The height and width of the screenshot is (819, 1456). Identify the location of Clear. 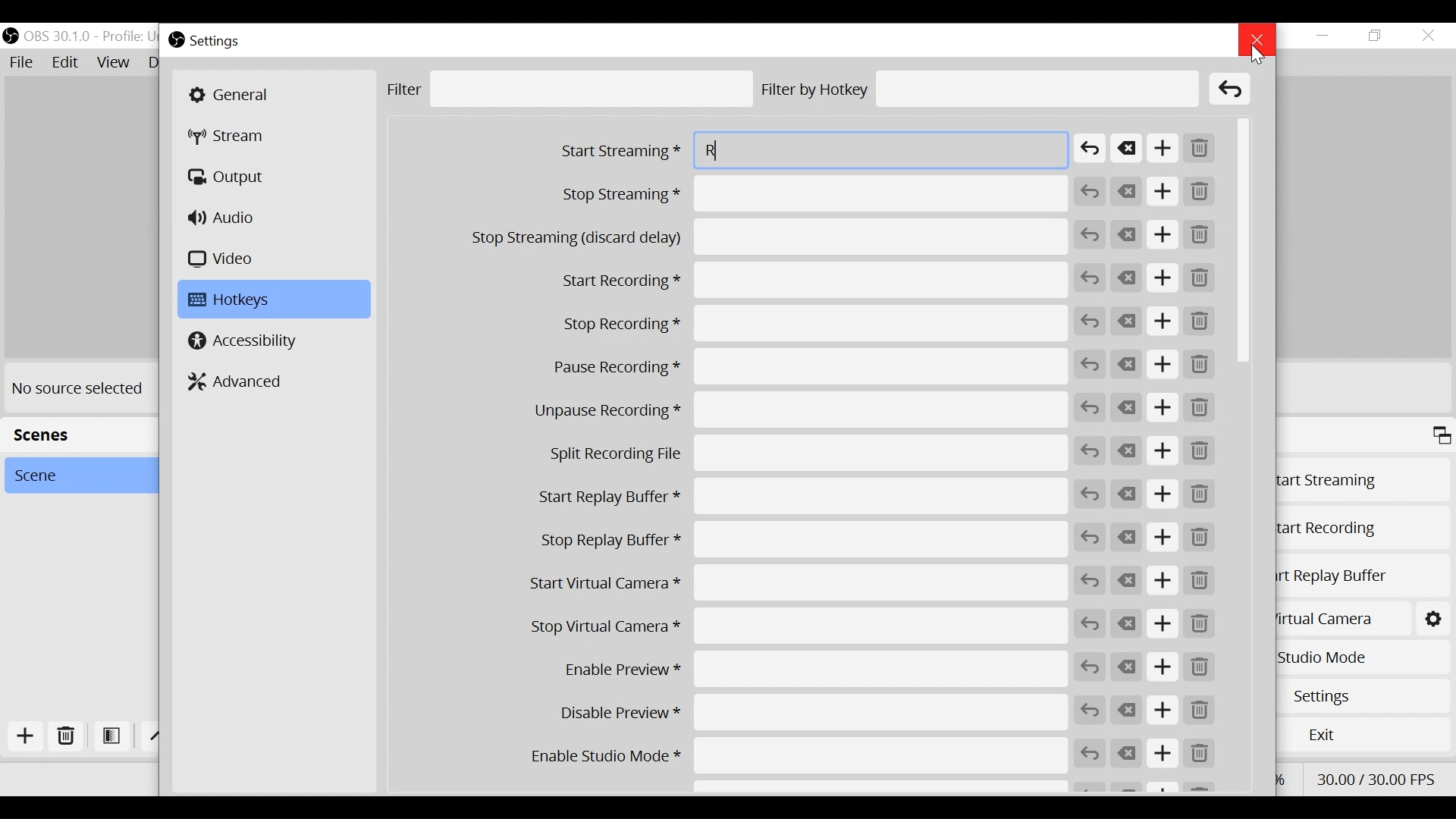
(1127, 278).